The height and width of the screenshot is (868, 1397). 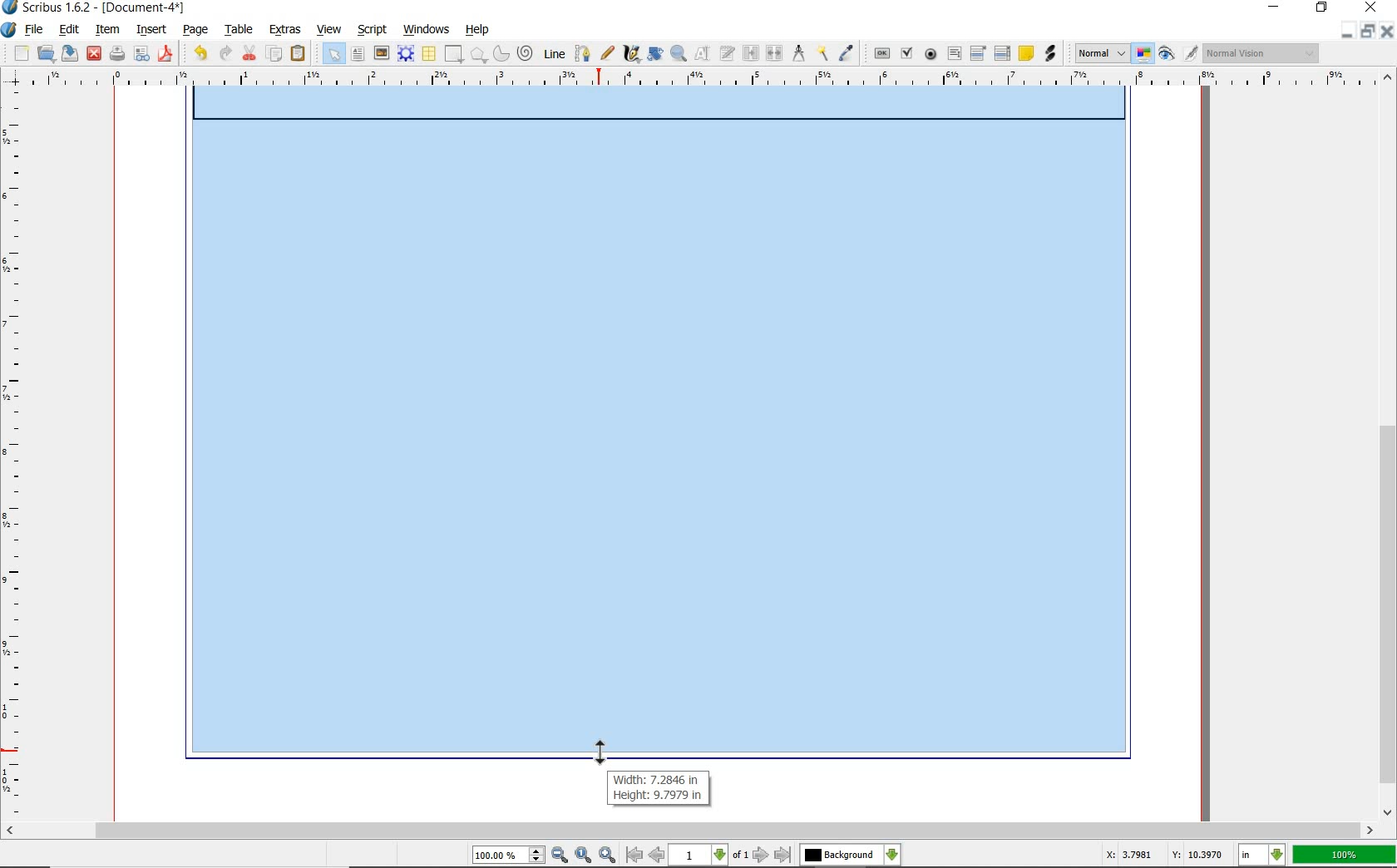 I want to click on save, so click(x=71, y=54).